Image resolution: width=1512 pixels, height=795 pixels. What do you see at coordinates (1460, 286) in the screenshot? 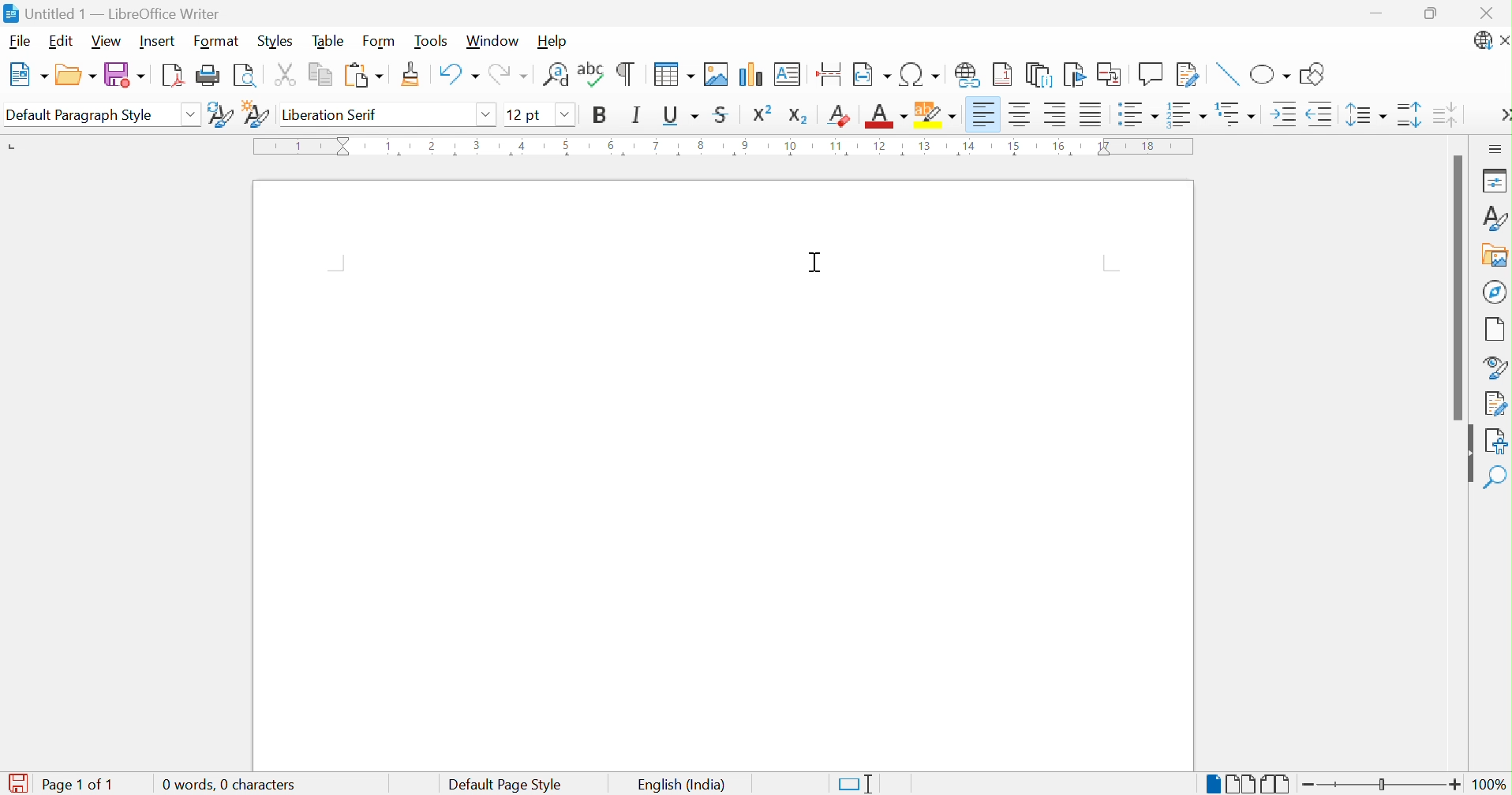
I see `Scroll bar` at bounding box center [1460, 286].